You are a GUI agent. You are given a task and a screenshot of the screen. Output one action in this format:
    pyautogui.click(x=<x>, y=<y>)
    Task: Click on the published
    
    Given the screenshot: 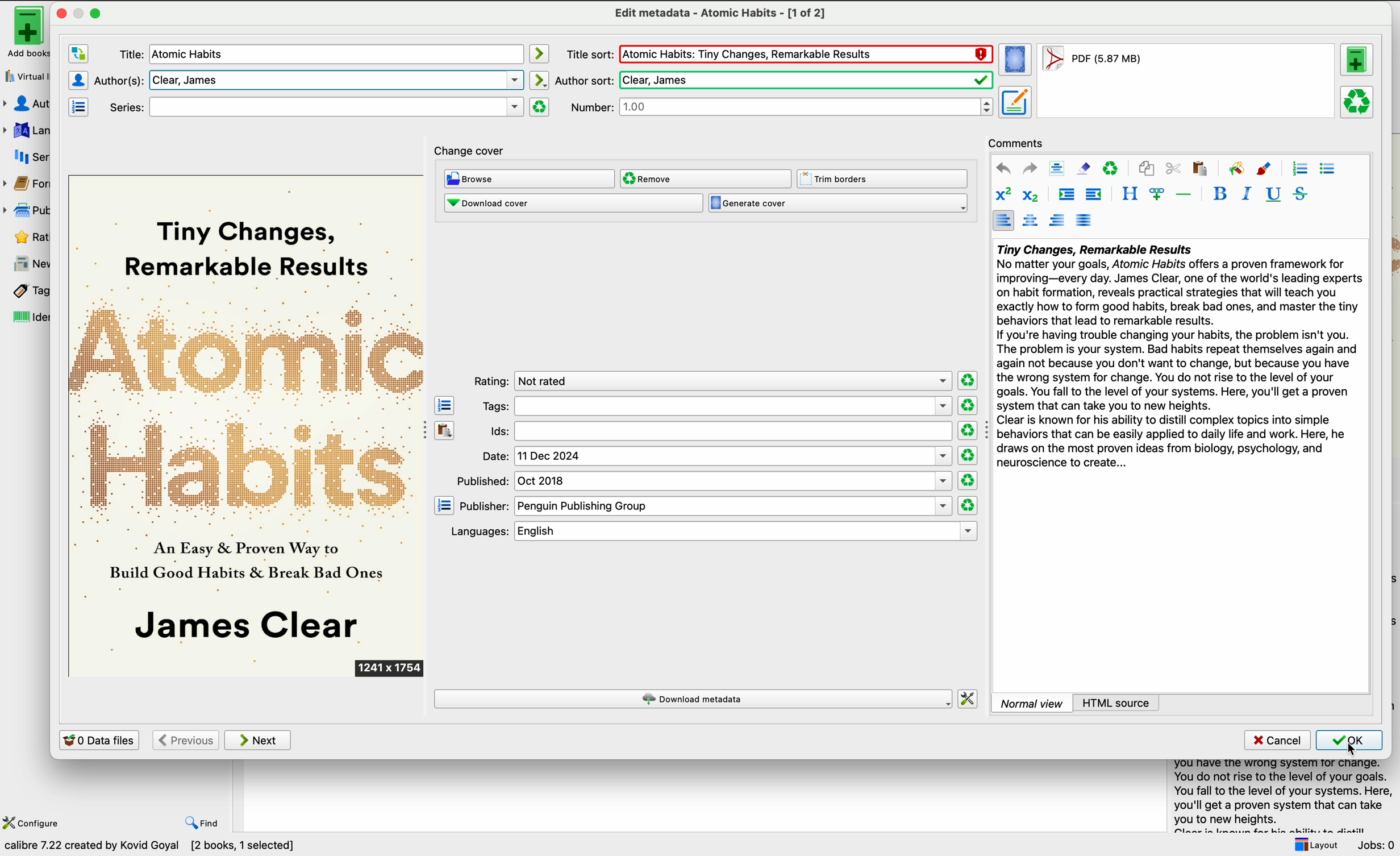 What is the action you would take?
    pyautogui.click(x=705, y=481)
    